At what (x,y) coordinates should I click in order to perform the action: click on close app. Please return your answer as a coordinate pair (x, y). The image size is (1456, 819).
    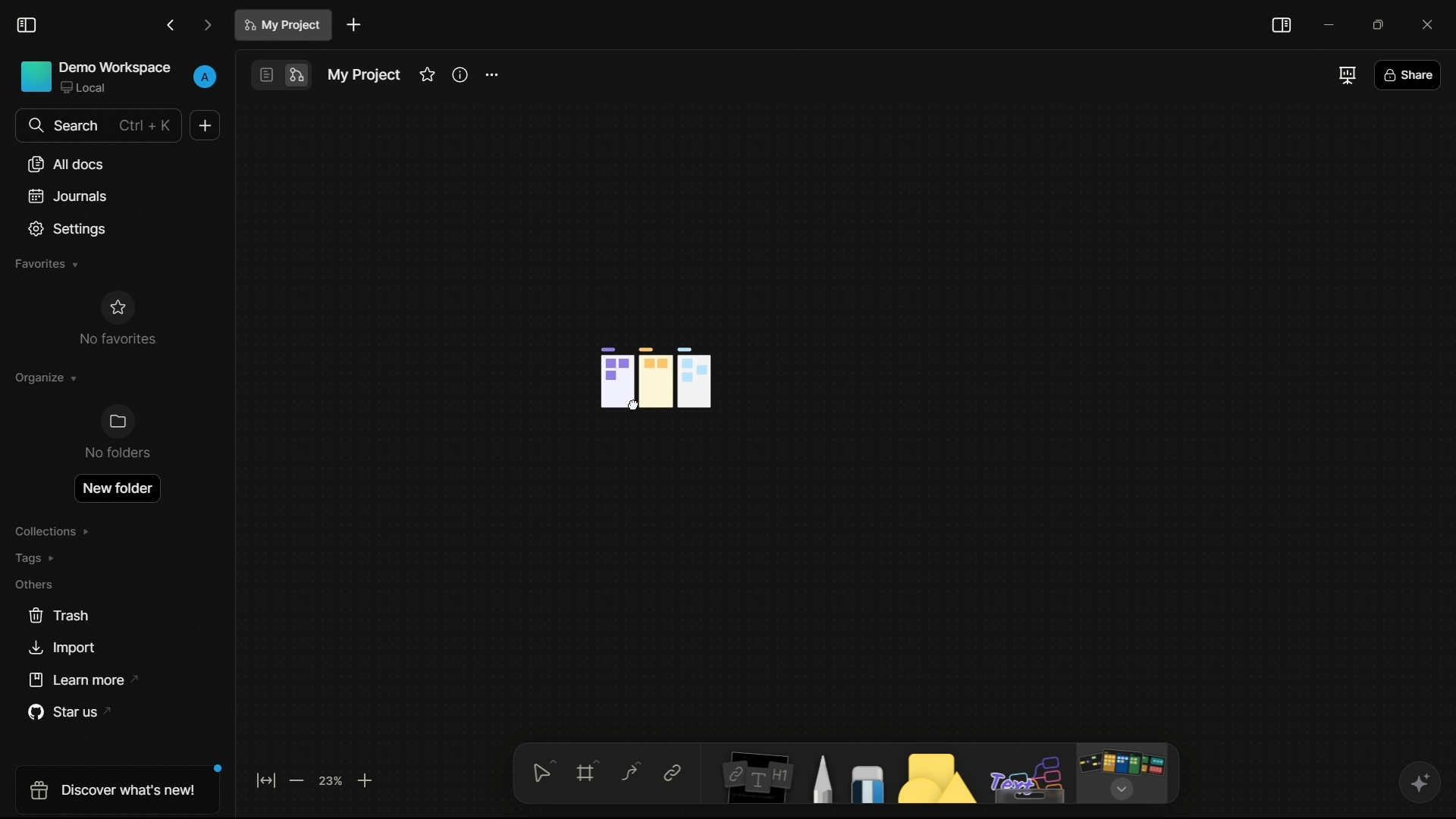
    Looking at the image, I should click on (1432, 24).